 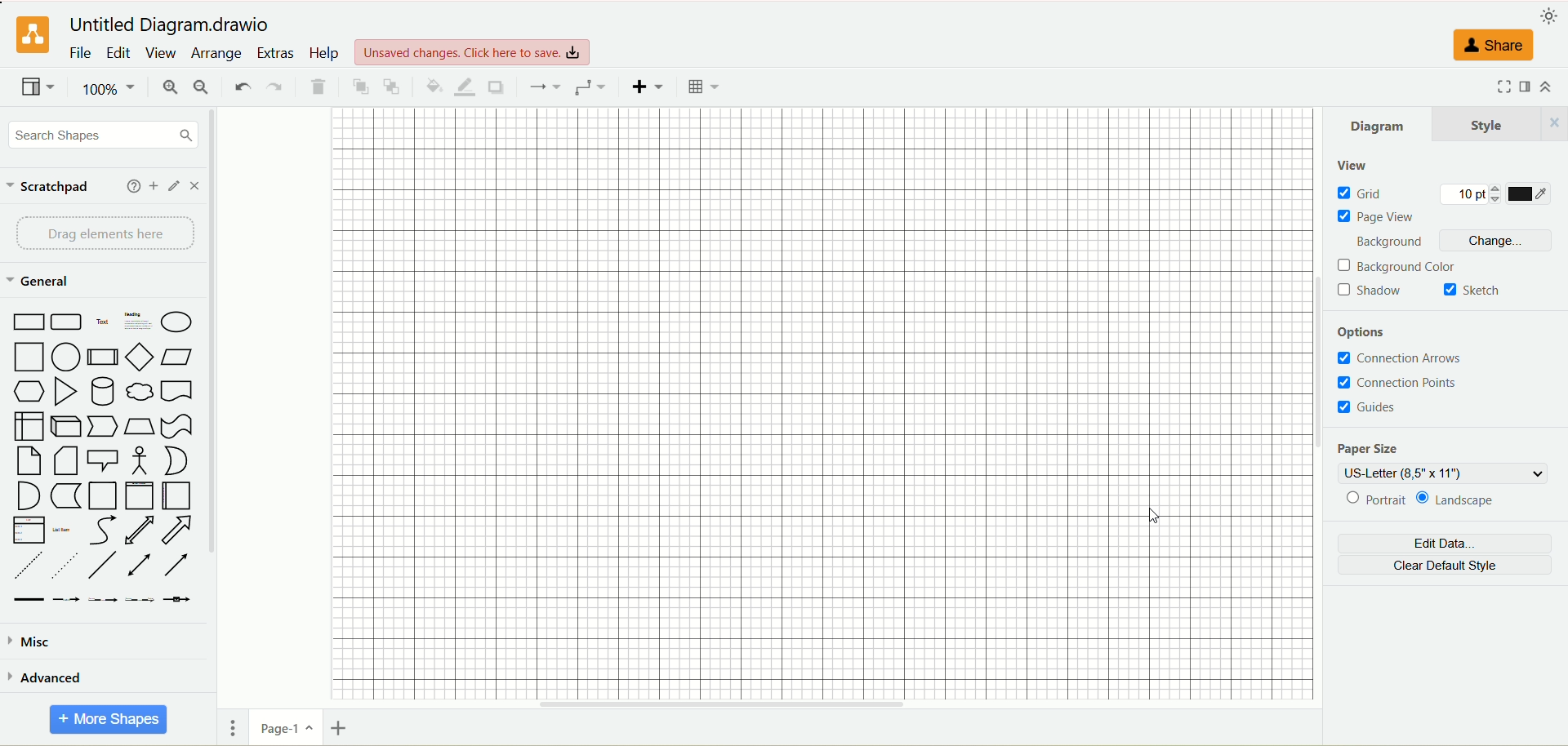 What do you see at coordinates (1151, 517) in the screenshot?
I see `cursor` at bounding box center [1151, 517].